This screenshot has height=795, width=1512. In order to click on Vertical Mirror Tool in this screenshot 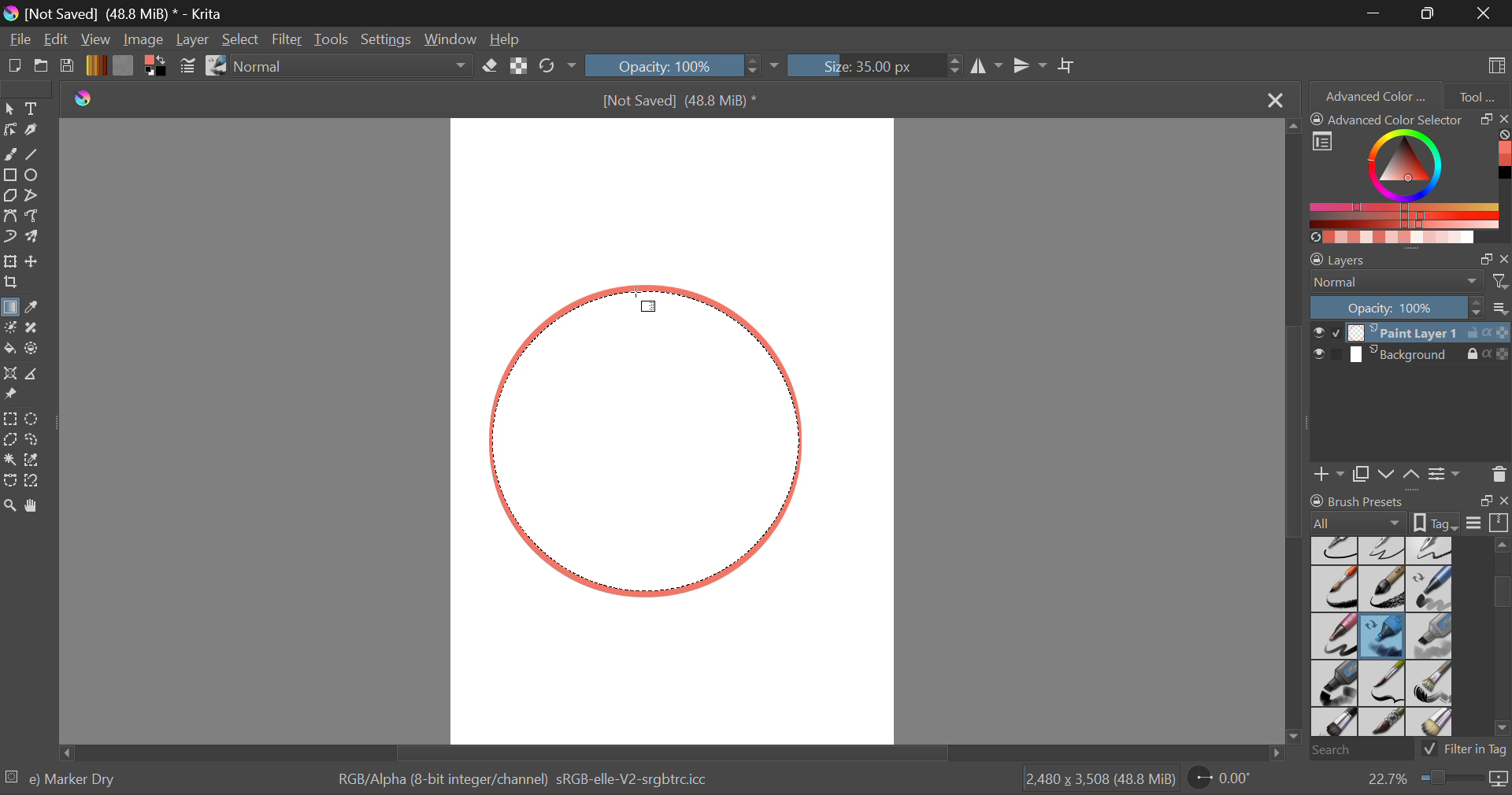, I will do `click(1029, 66)`.